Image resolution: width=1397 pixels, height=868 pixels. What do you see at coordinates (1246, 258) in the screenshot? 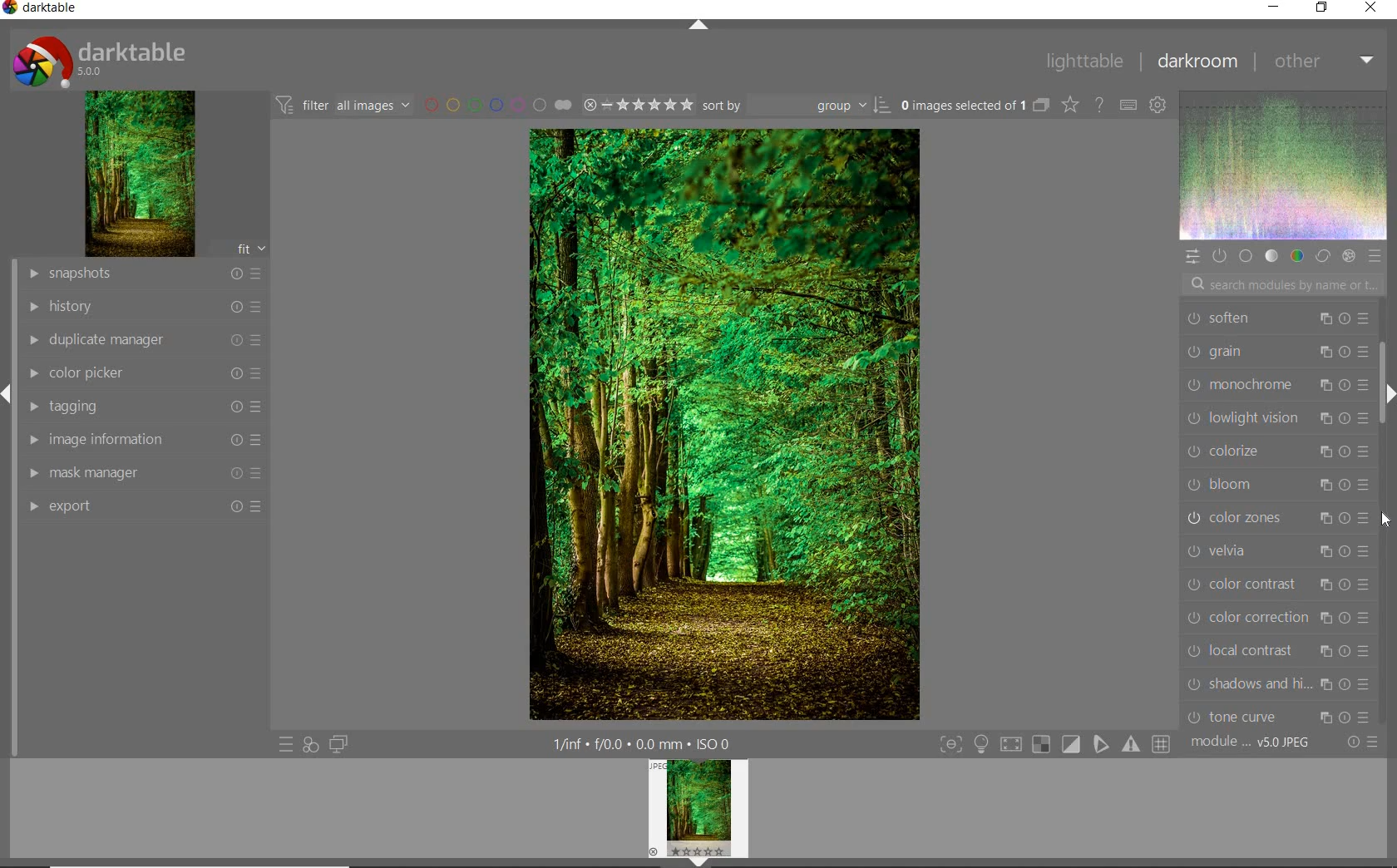
I see `BASE` at bounding box center [1246, 258].